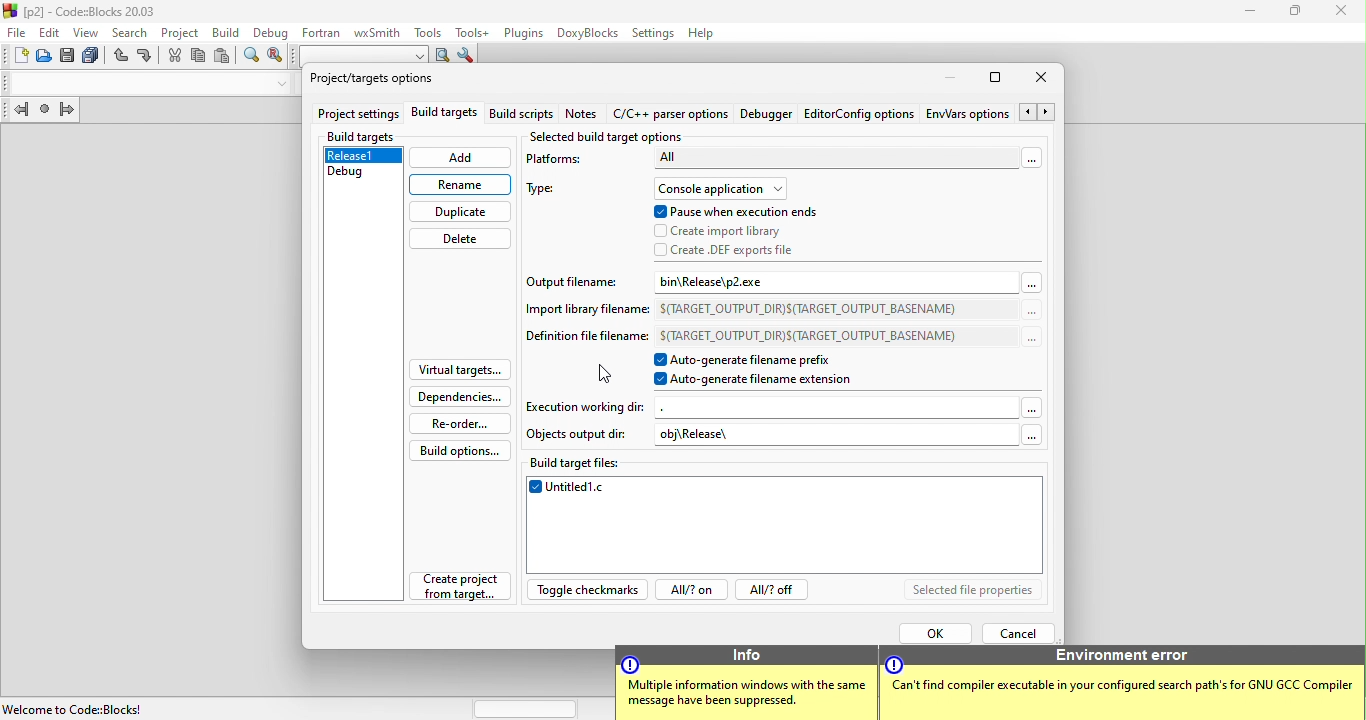 The height and width of the screenshot is (720, 1366). Describe the element at coordinates (973, 591) in the screenshot. I see `selected file properties` at that location.